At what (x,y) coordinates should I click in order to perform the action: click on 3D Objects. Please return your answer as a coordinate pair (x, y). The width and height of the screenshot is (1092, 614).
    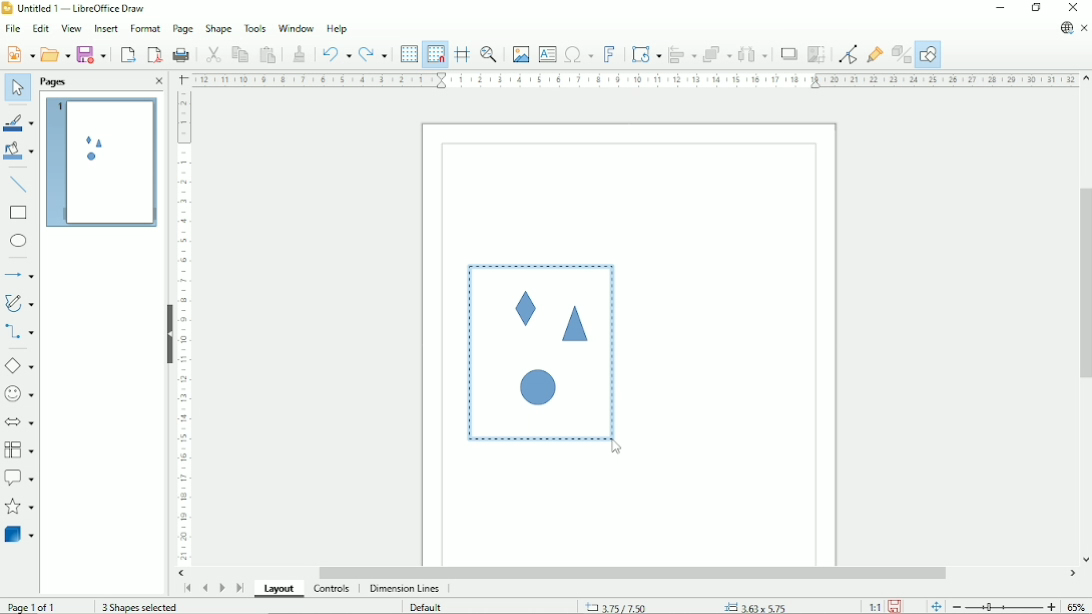
    Looking at the image, I should click on (20, 534).